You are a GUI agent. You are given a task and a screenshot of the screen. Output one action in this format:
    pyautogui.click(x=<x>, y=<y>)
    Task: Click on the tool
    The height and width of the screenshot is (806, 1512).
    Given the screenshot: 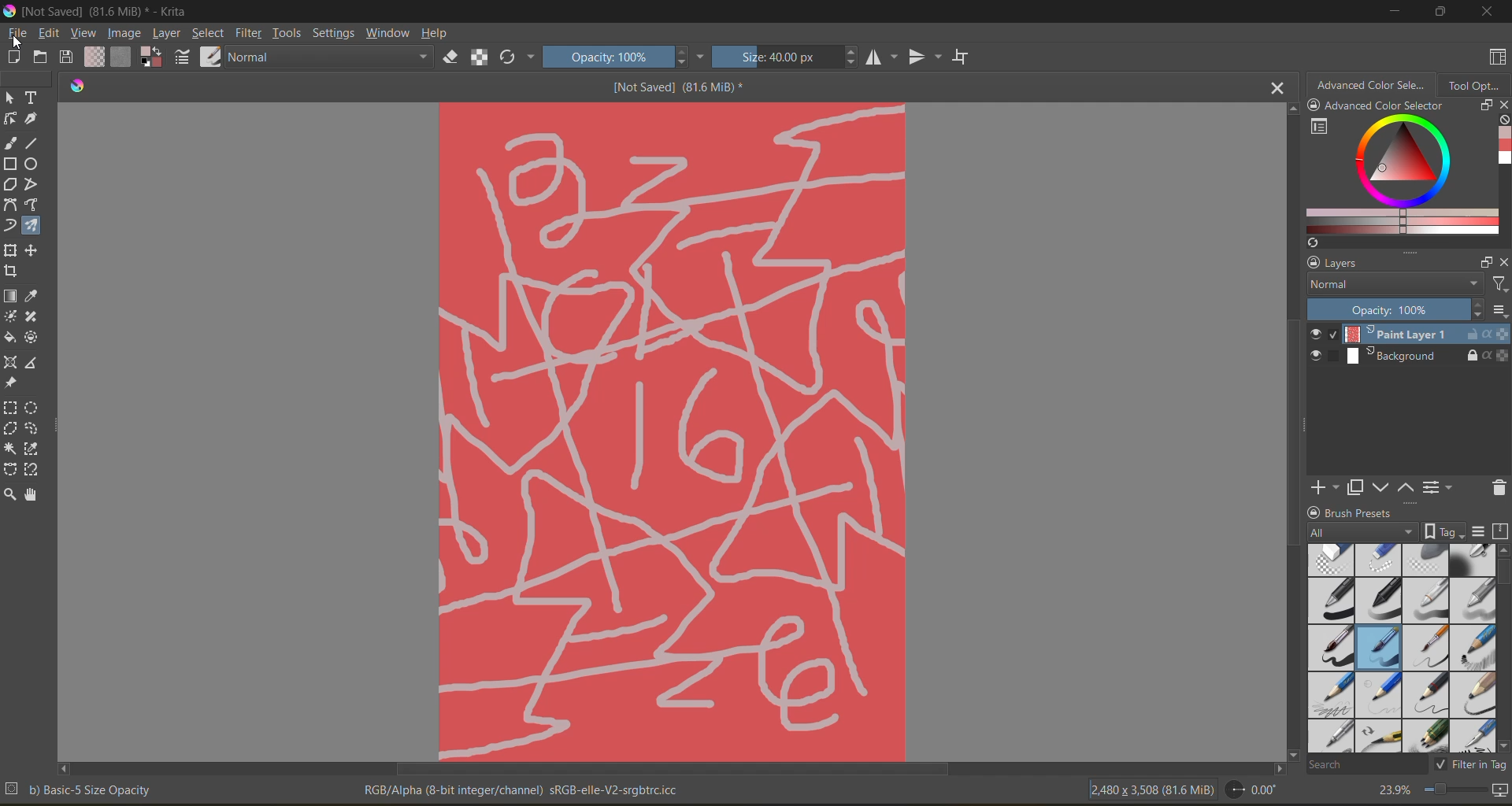 What is the action you would take?
    pyautogui.click(x=9, y=297)
    